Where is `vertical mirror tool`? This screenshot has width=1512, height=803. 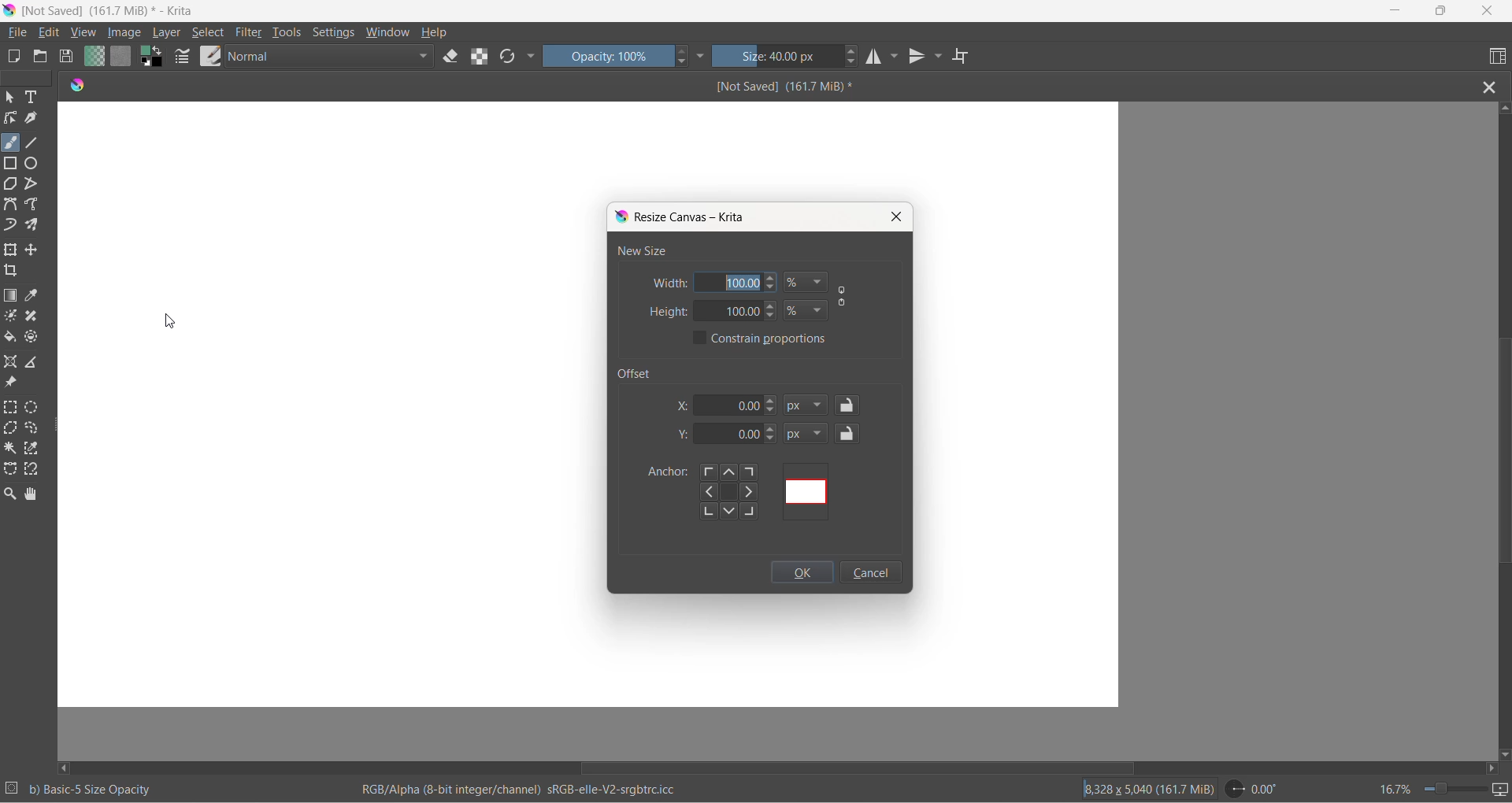 vertical mirror tool is located at coordinates (918, 58).